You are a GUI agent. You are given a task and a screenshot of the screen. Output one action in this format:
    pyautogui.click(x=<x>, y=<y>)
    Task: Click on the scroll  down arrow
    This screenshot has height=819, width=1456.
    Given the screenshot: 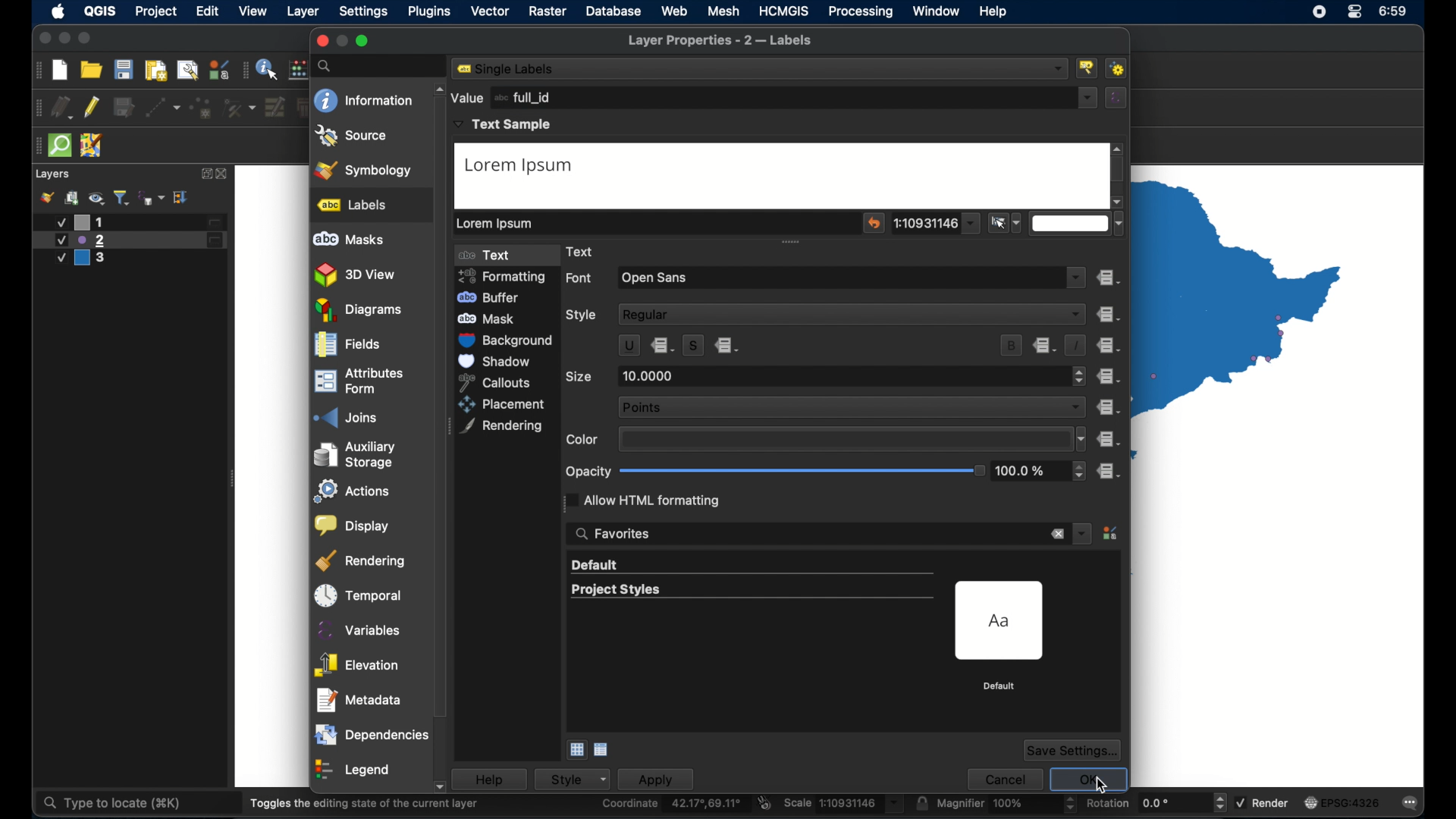 What is the action you would take?
    pyautogui.click(x=1092, y=335)
    